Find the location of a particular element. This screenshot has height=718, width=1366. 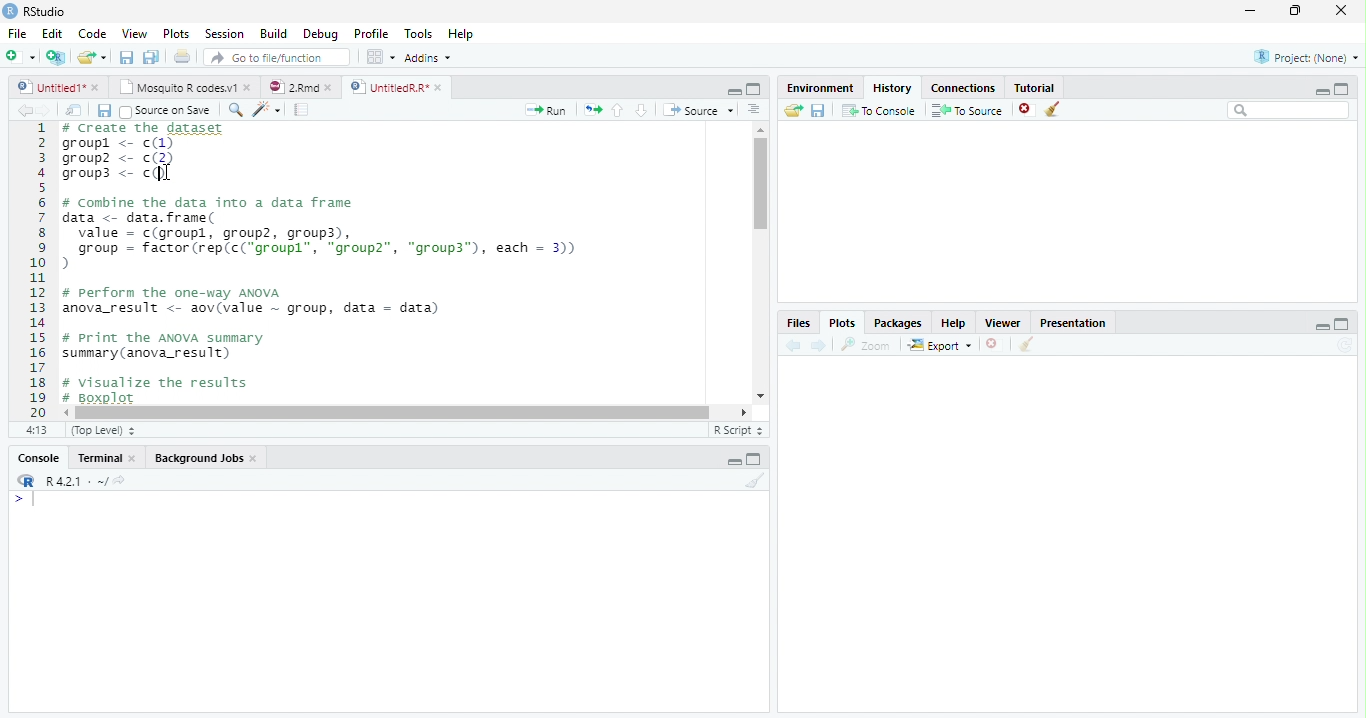

To Console is located at coordinates (879, 110).